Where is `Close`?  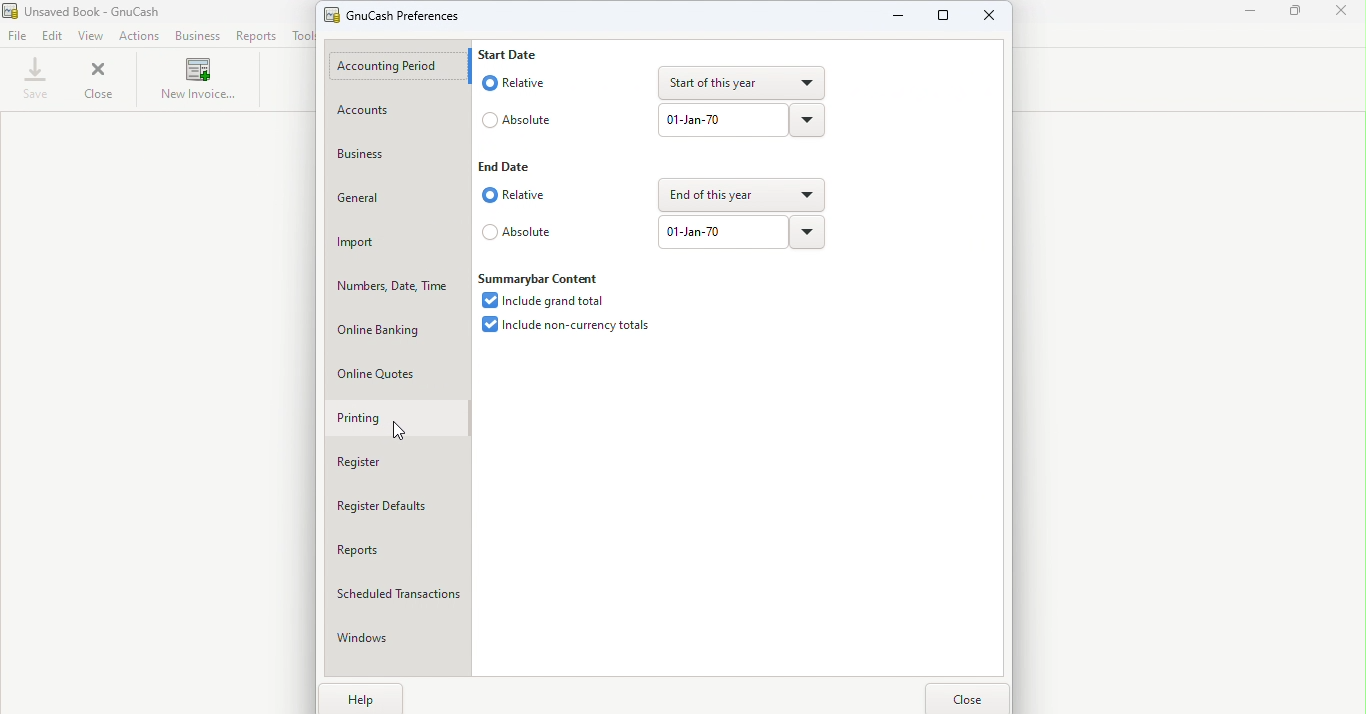 Close is located at coordinates (972, 696).